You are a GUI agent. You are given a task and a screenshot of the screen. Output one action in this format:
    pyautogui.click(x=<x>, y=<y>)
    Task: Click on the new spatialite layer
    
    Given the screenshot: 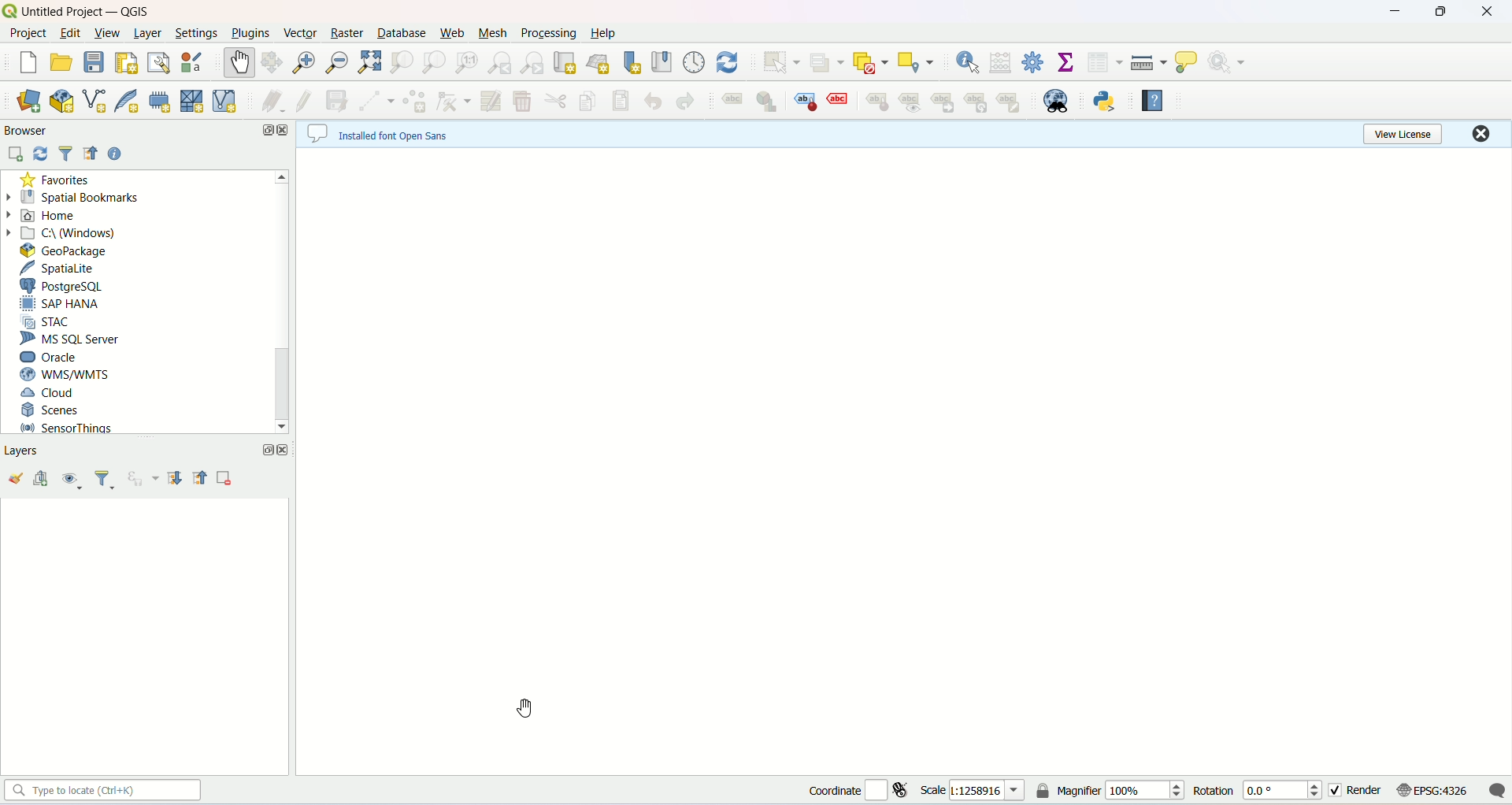 What is the action you would take?
    pyautogui.click(x=127, y=98)
    